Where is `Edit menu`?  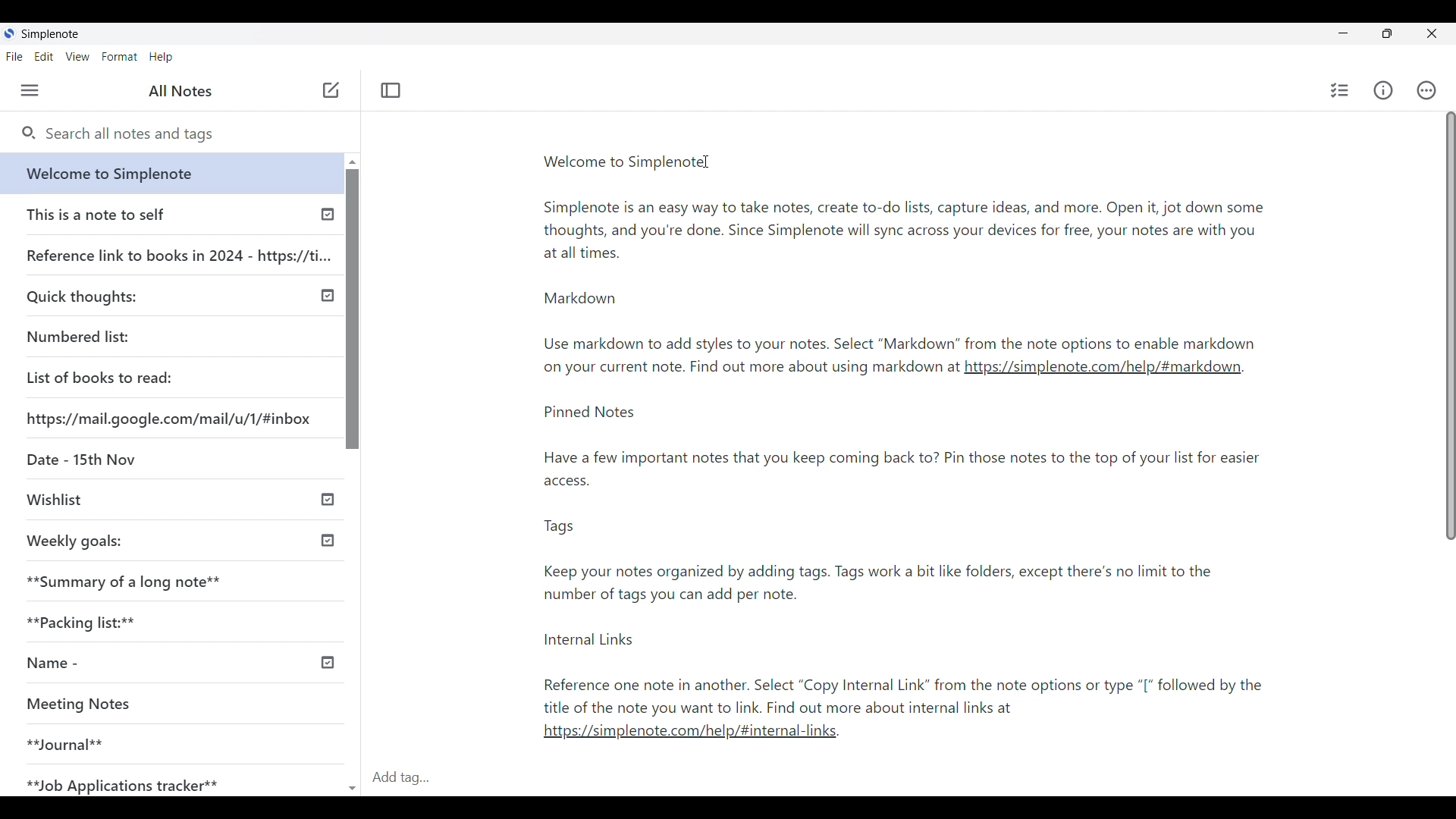
Edit menu is located at coordinates (44, 56).